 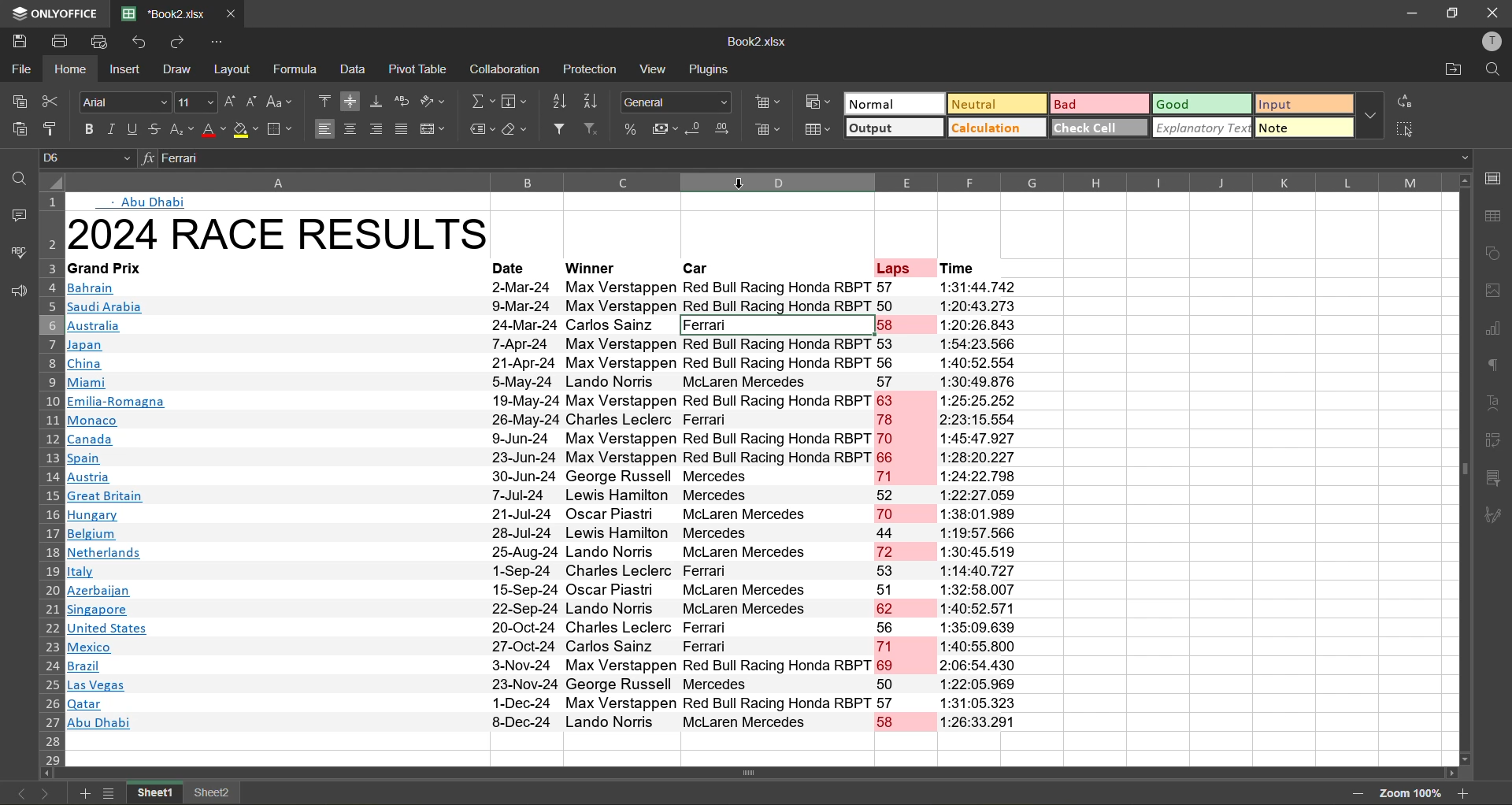 What do you see at coordinates (195, 103) in the screenshot?
I see `11` at bounding box center [195, 103].